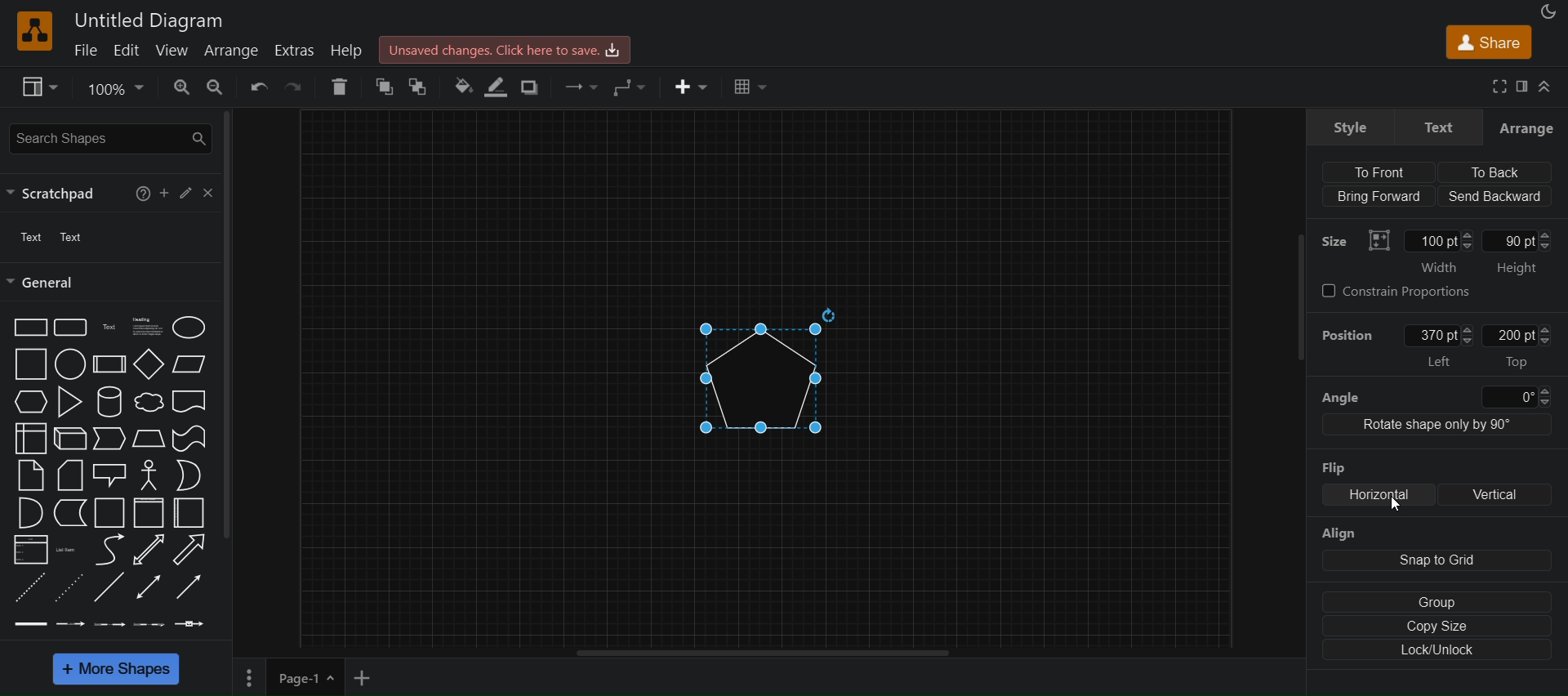 This screenshot has width=1568, height=696. I want to click on scratchpad, so click(59, 194).